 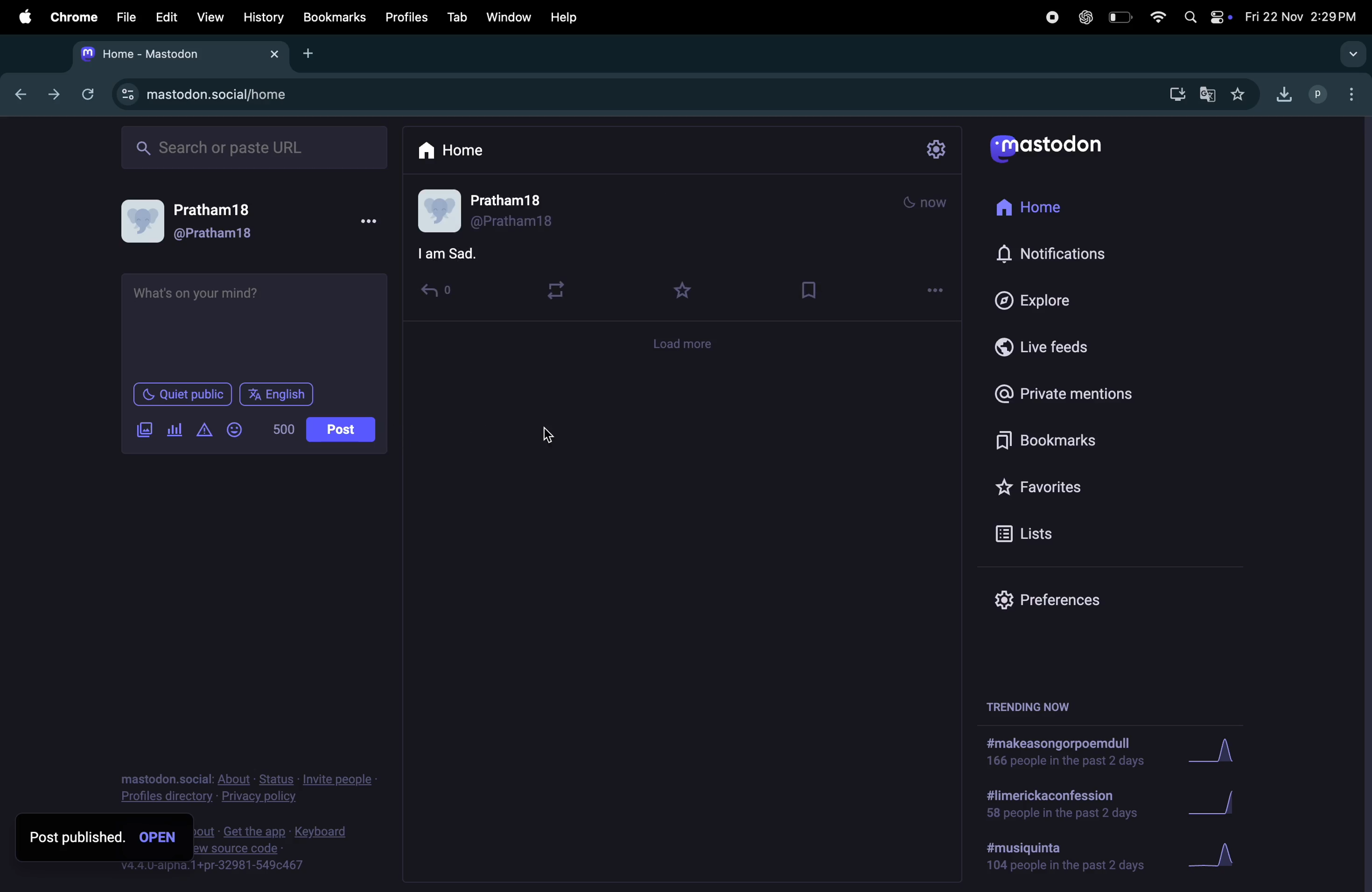 I want to click on apple widgets, so click(x=1208, y=17).